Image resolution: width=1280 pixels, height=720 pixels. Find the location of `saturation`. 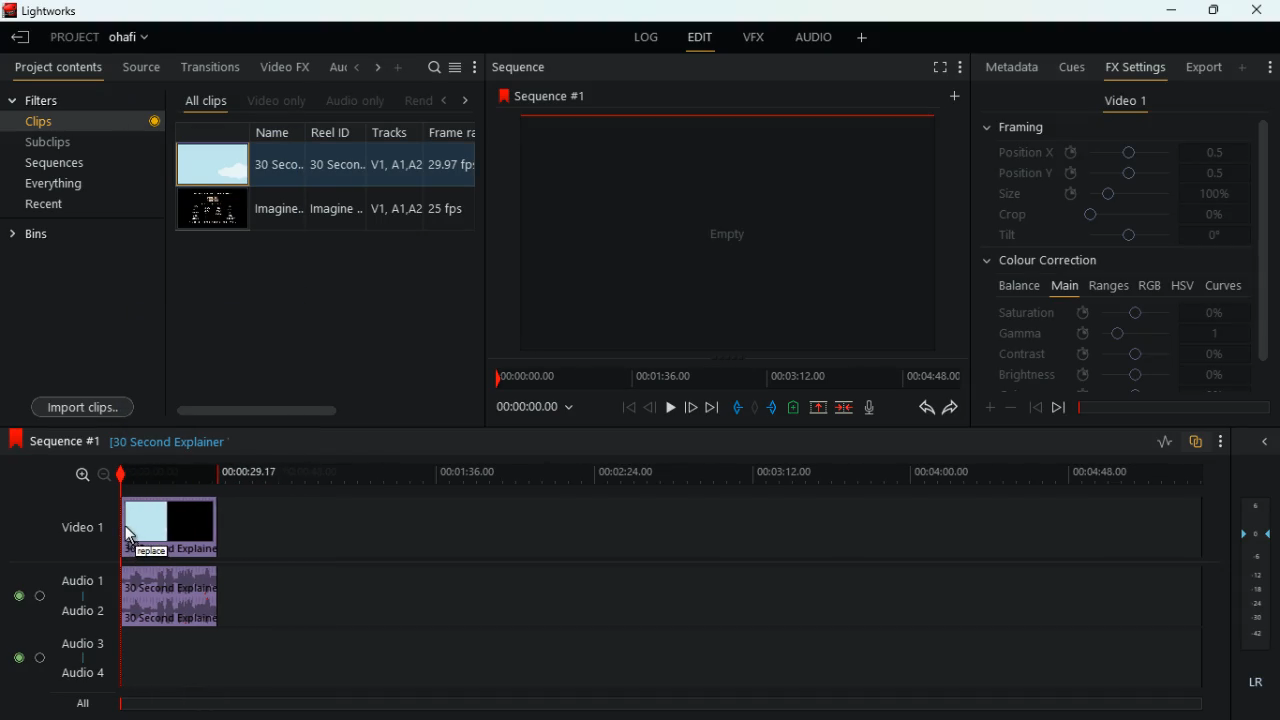

saturation is located at coordinates (1121, 314).